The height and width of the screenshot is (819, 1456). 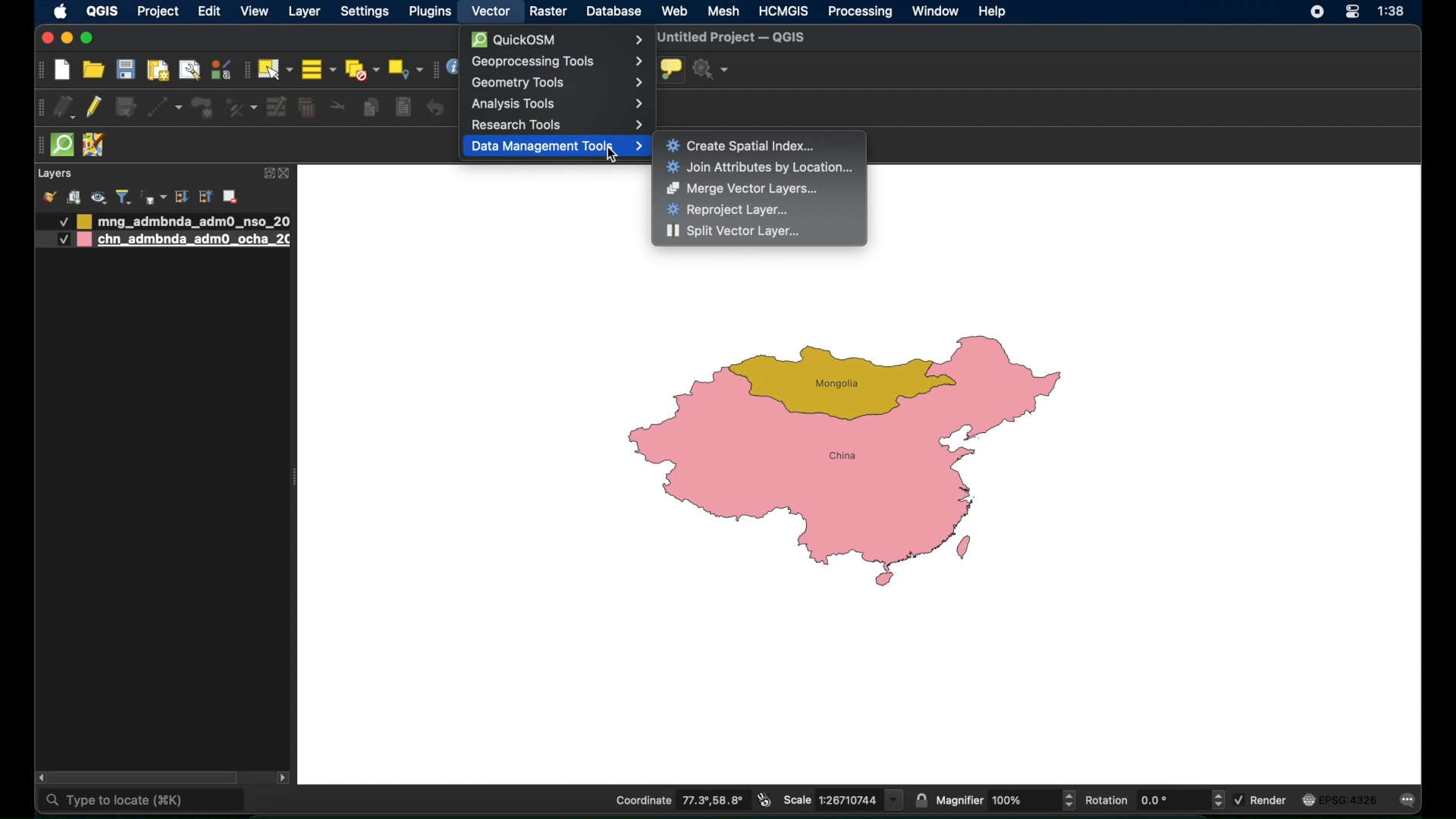 What do you see at coordinates (433, 69) in the screenshot?
I see `attributes toolbar` at bounding box center [433, 69].